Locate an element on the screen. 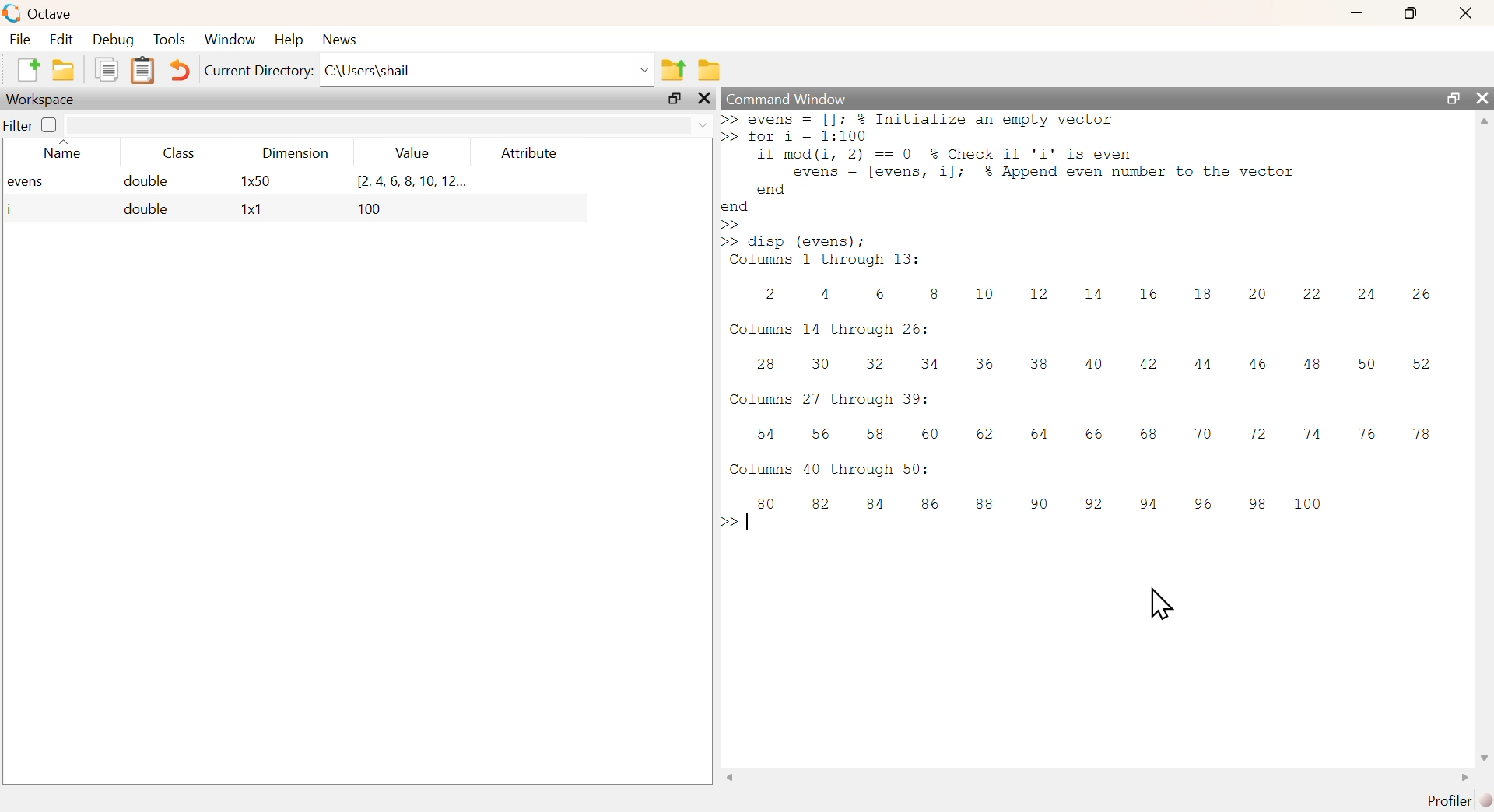  cursor is located at coordinates (1164, 602).